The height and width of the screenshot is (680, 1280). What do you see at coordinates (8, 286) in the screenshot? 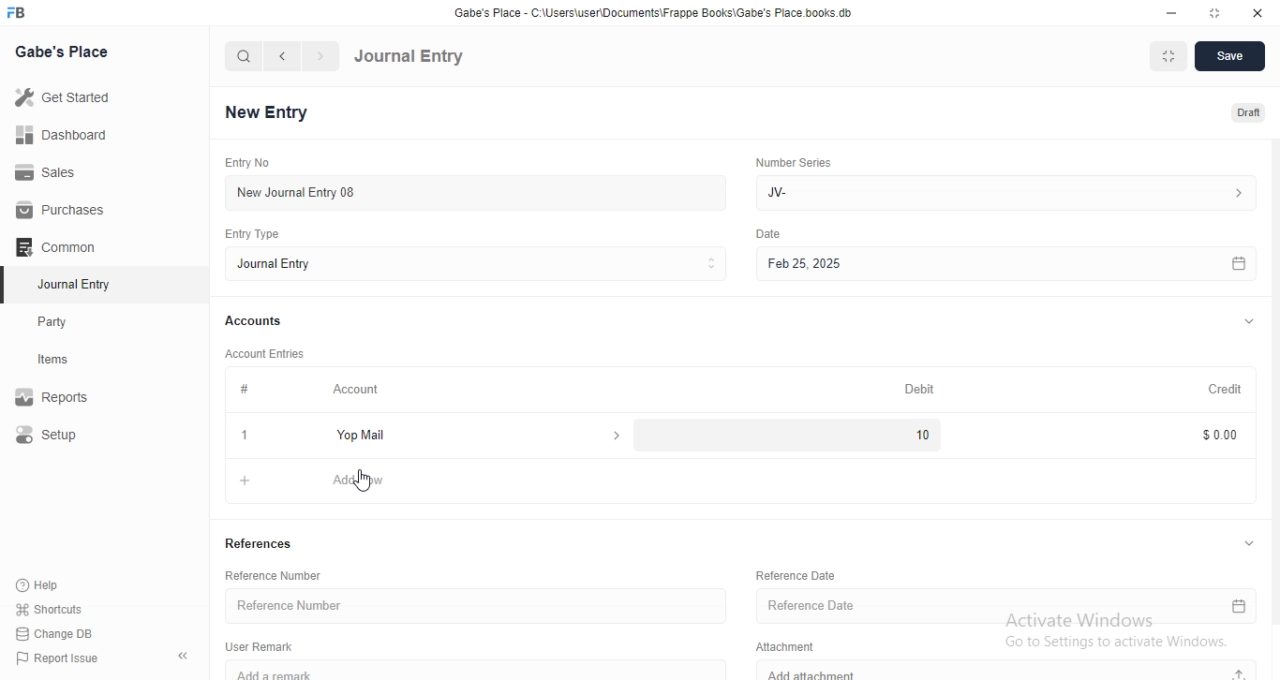
I see `selected` at bounding box center [8, 286].